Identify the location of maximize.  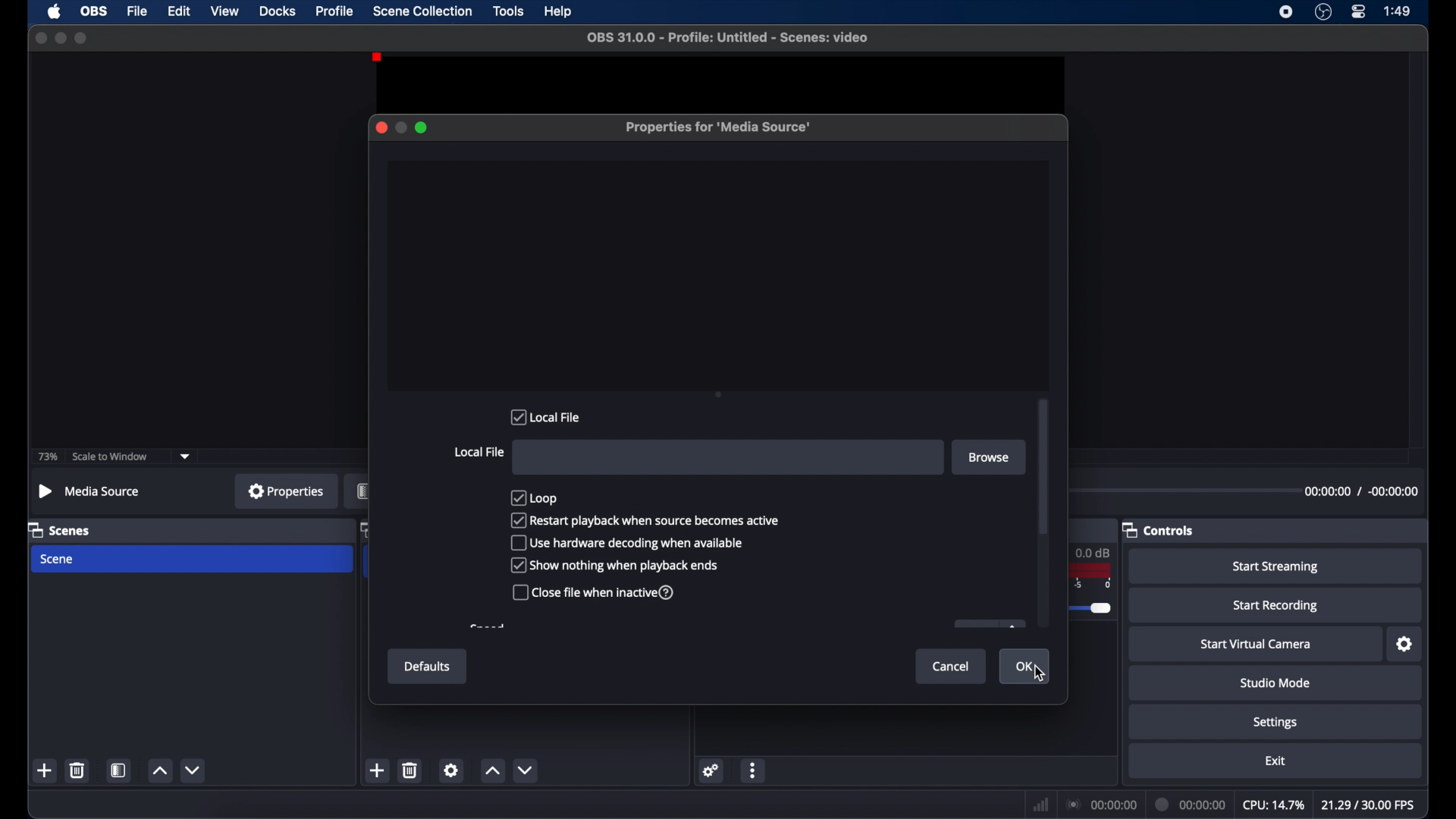
(423, 127).